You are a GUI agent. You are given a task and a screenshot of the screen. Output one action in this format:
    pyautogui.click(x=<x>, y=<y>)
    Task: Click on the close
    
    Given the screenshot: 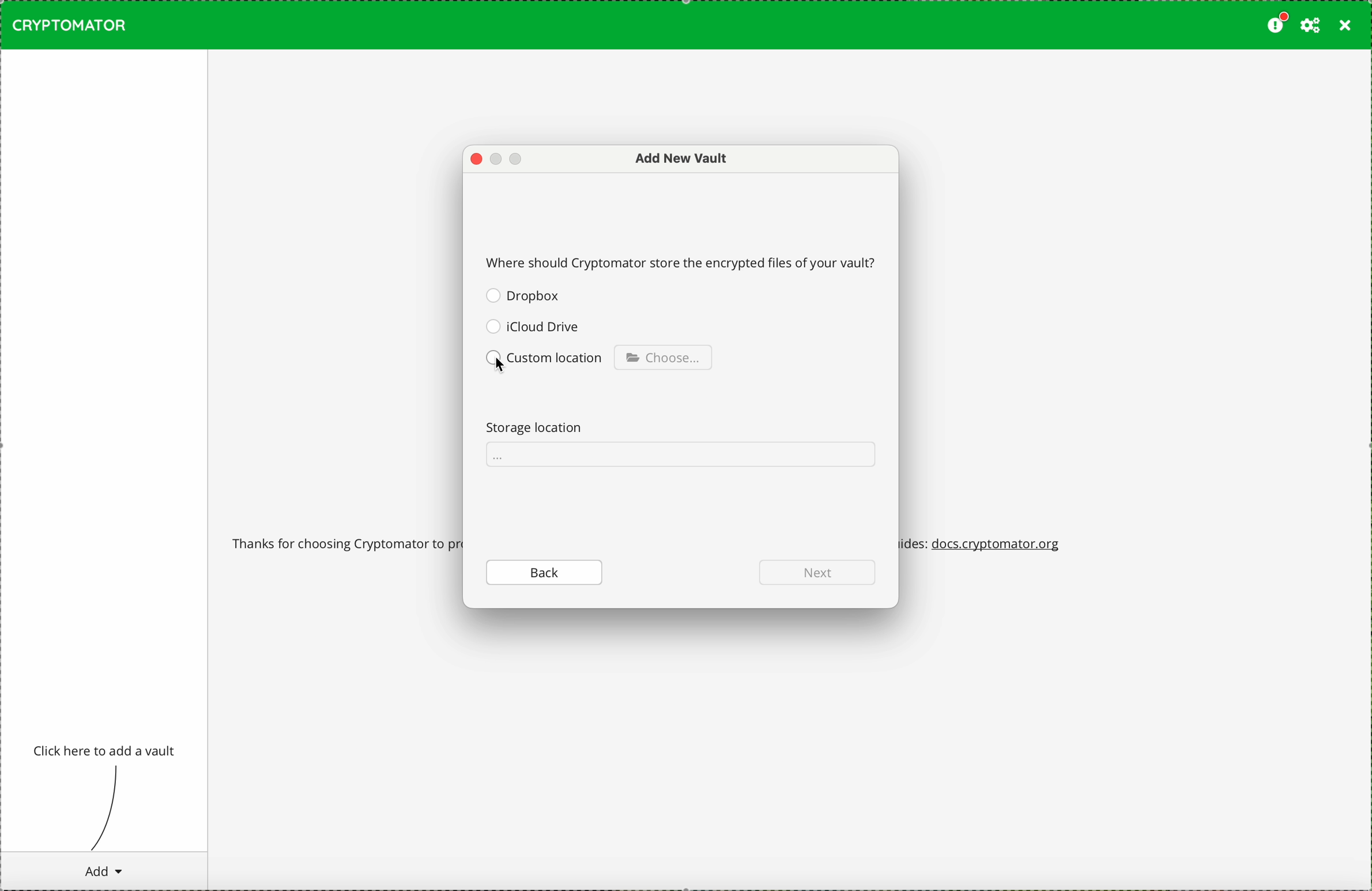 What is the action you would take?
    pyautogui.click(x=1345, y=26)
    